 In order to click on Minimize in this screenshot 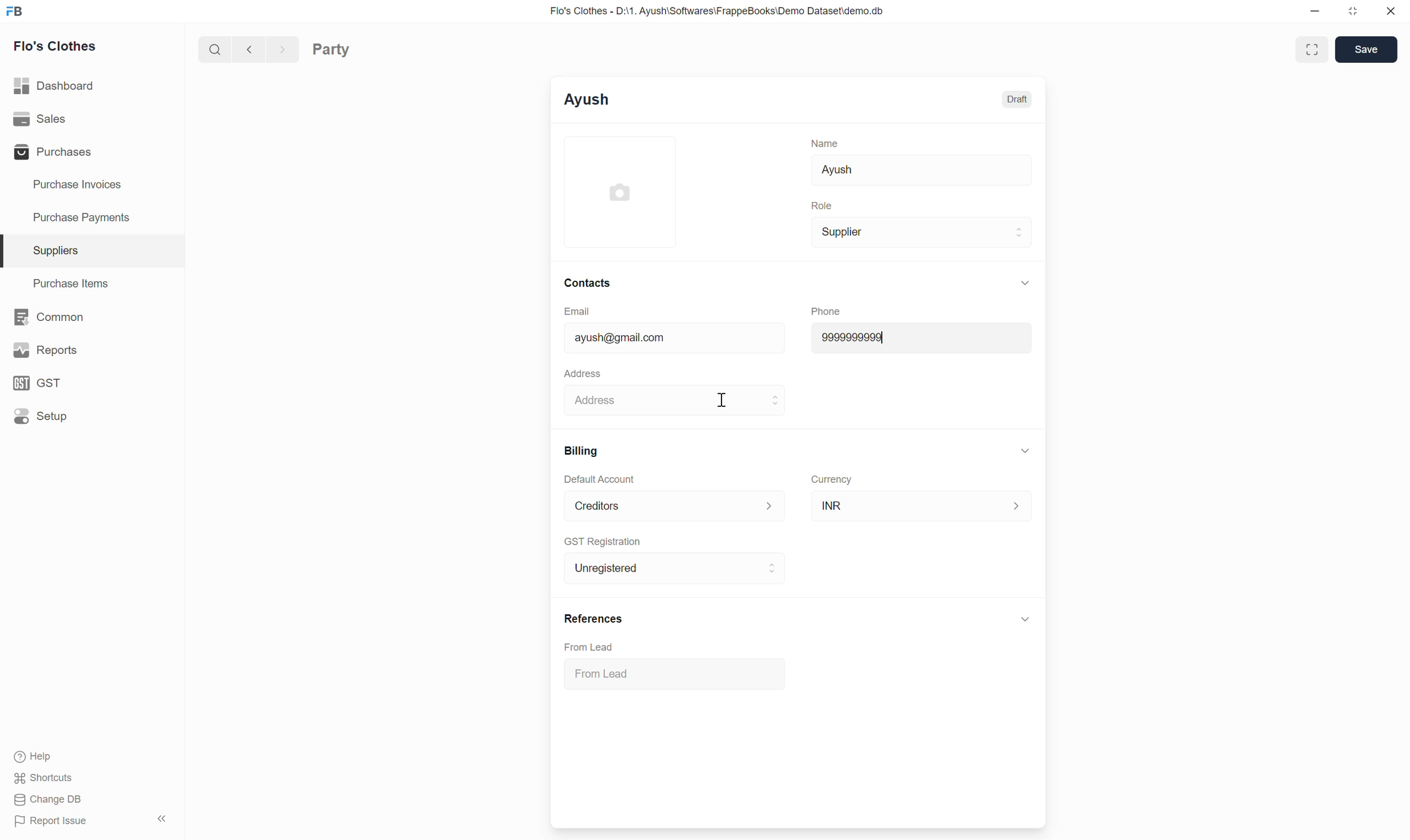, I will do `click(1315, 11)`.